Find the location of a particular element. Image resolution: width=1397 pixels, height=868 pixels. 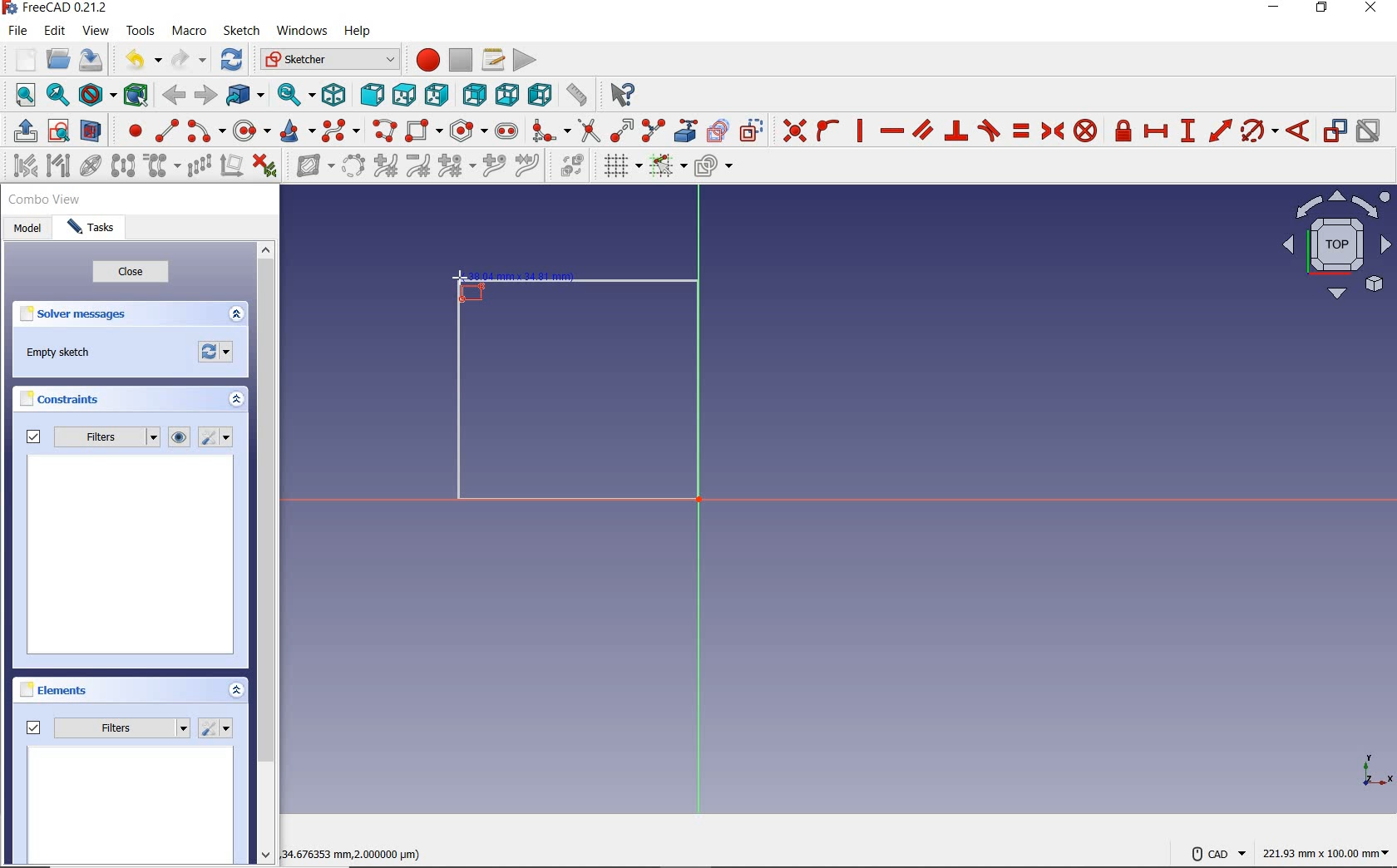

bounding box is located at coordinates (135, 94).